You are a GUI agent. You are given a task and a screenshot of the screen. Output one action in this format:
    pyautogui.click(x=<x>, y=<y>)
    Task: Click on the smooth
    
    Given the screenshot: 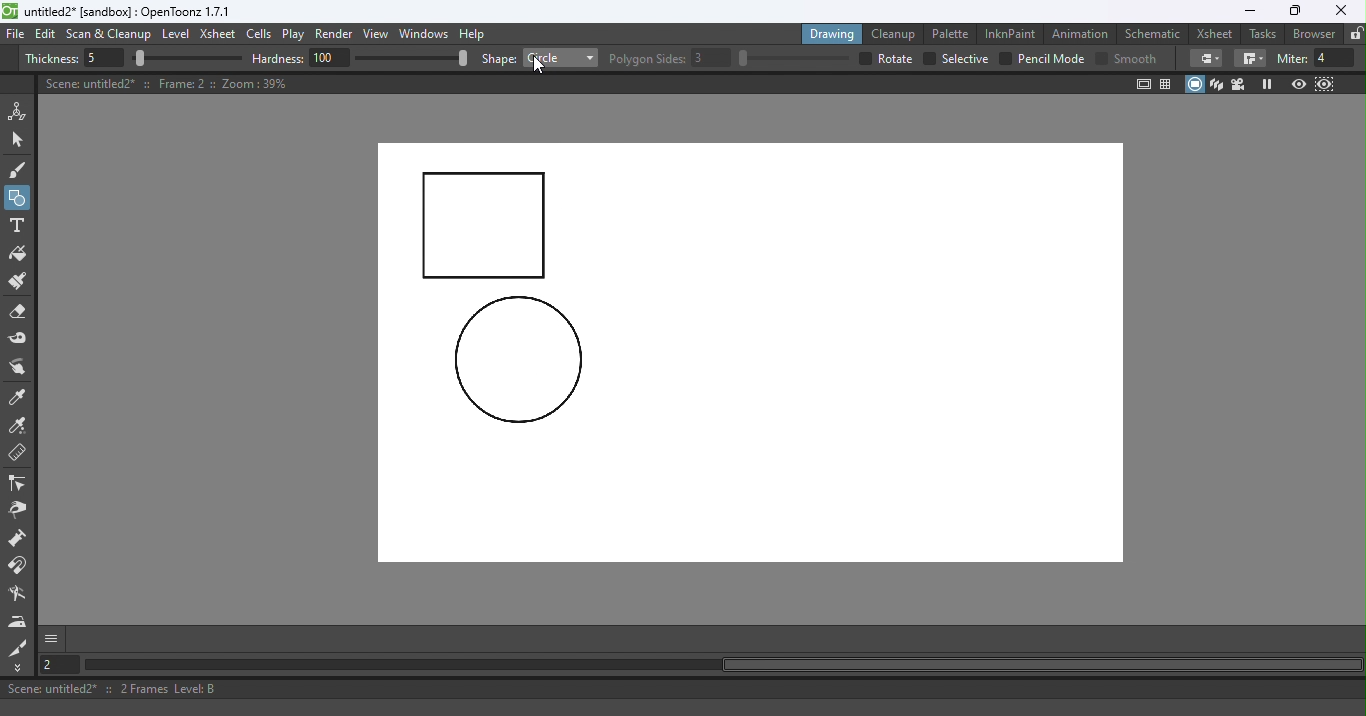 What is the action you would take?
    pyautogui.click(x=1138, y=58)
    